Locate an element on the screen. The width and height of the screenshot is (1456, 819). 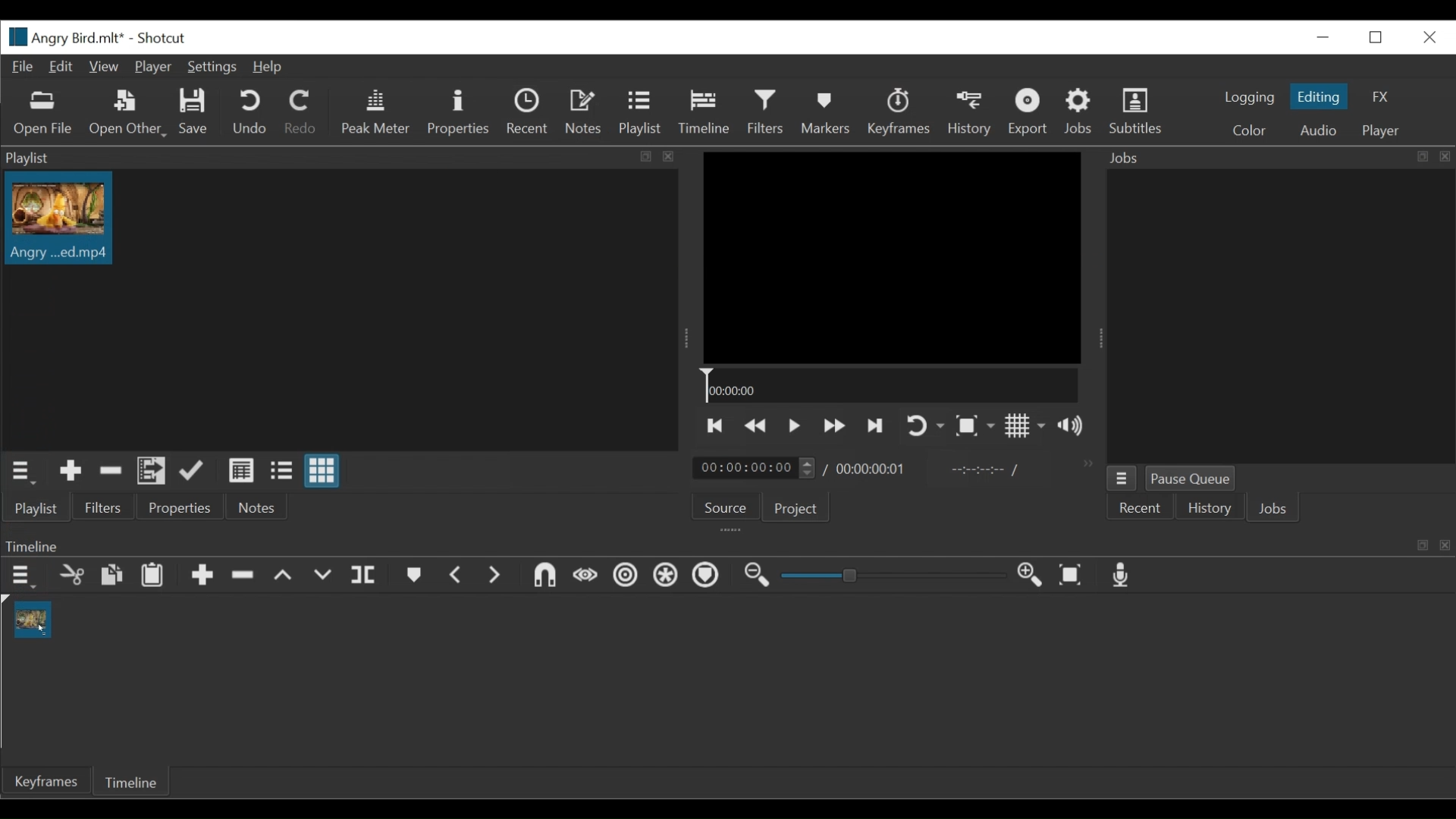
Previous marker is located at coordinates (457, 576).